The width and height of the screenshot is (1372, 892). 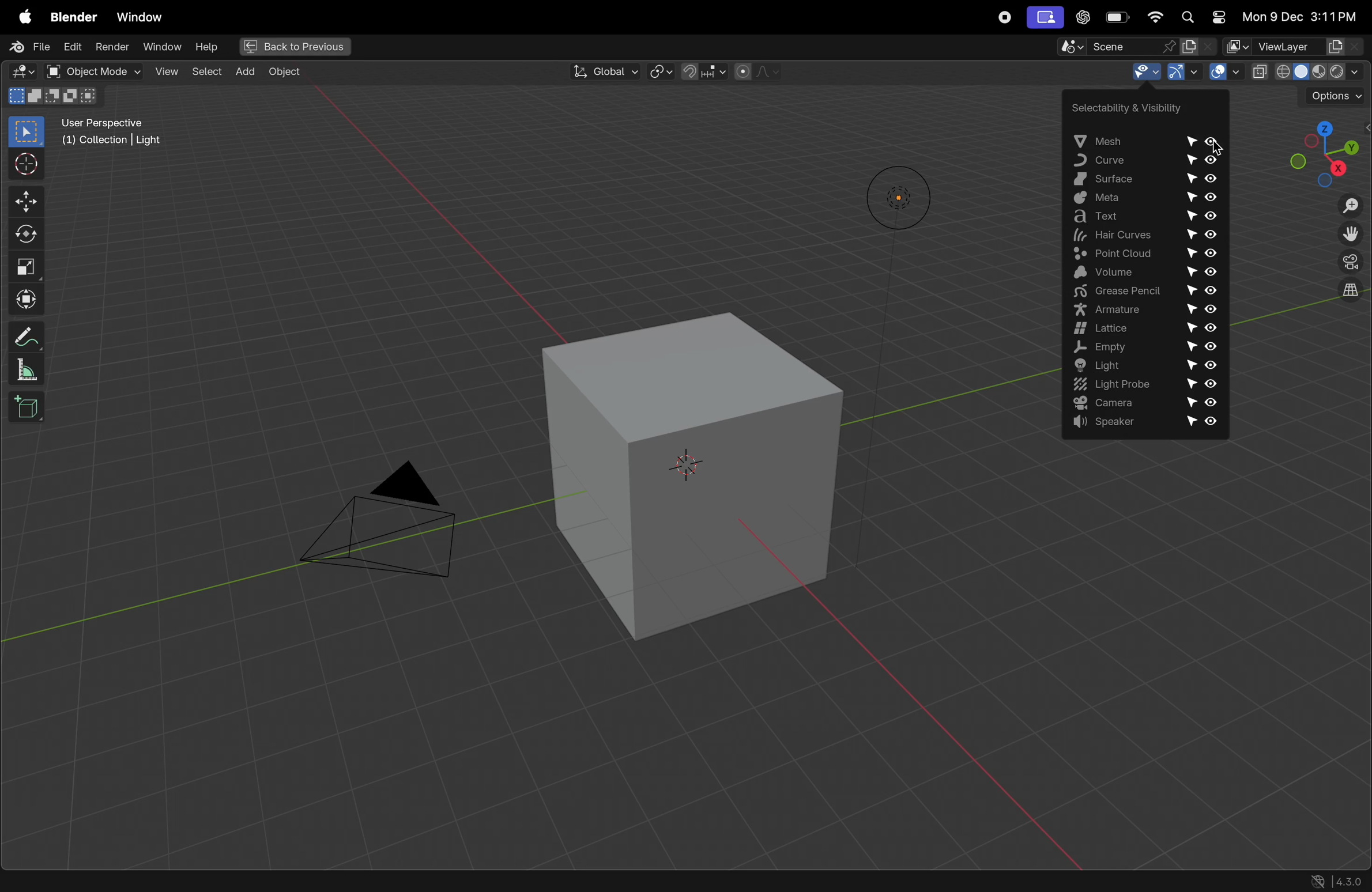 I want to click on point cloud, so click(x=1143, y=254).